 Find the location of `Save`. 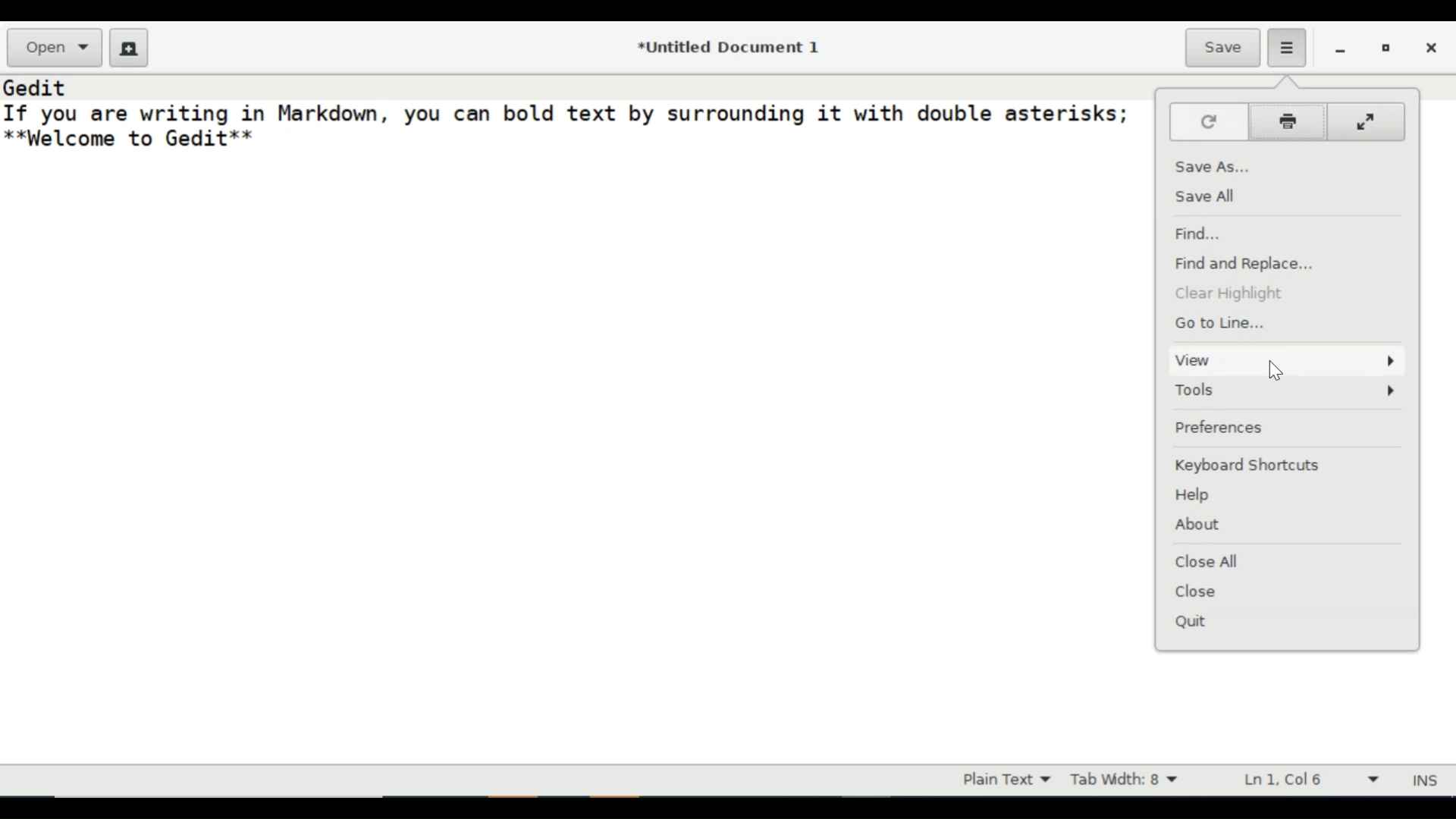

Save is located at coordinates (1221, 47).